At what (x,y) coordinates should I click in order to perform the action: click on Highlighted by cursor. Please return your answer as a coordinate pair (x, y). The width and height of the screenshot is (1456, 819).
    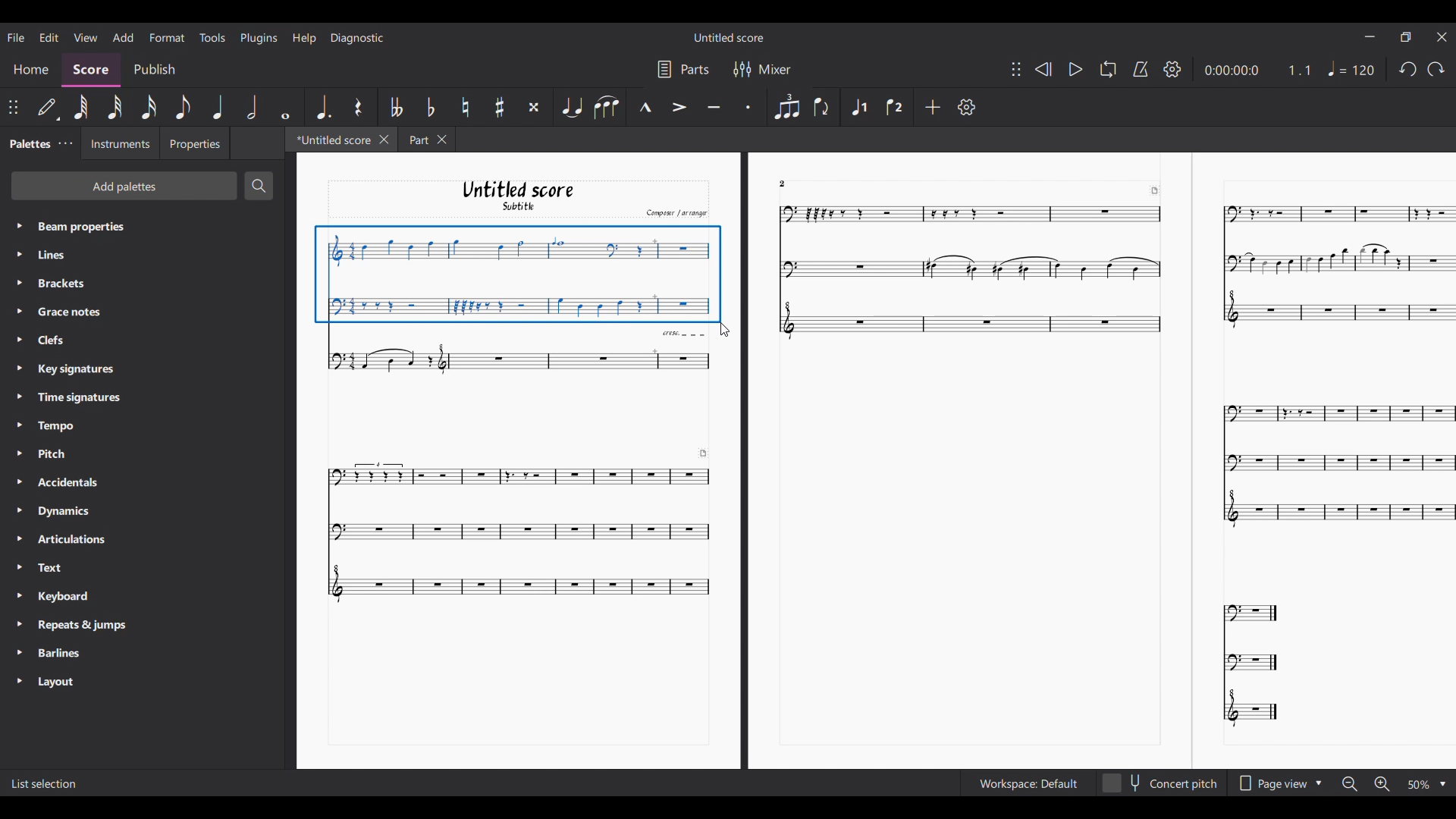
    Looking at the image, I should click on (17, 283).